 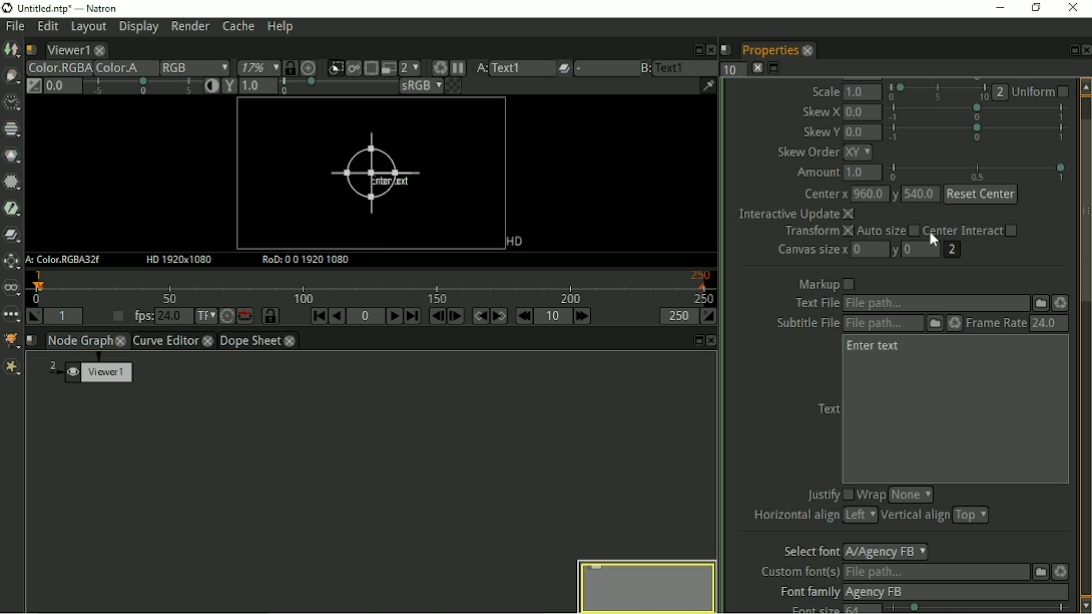 What do you see at coordinates (356, 66) in the screenshot?
I see `Render the image` at bounding box center [356, 66].